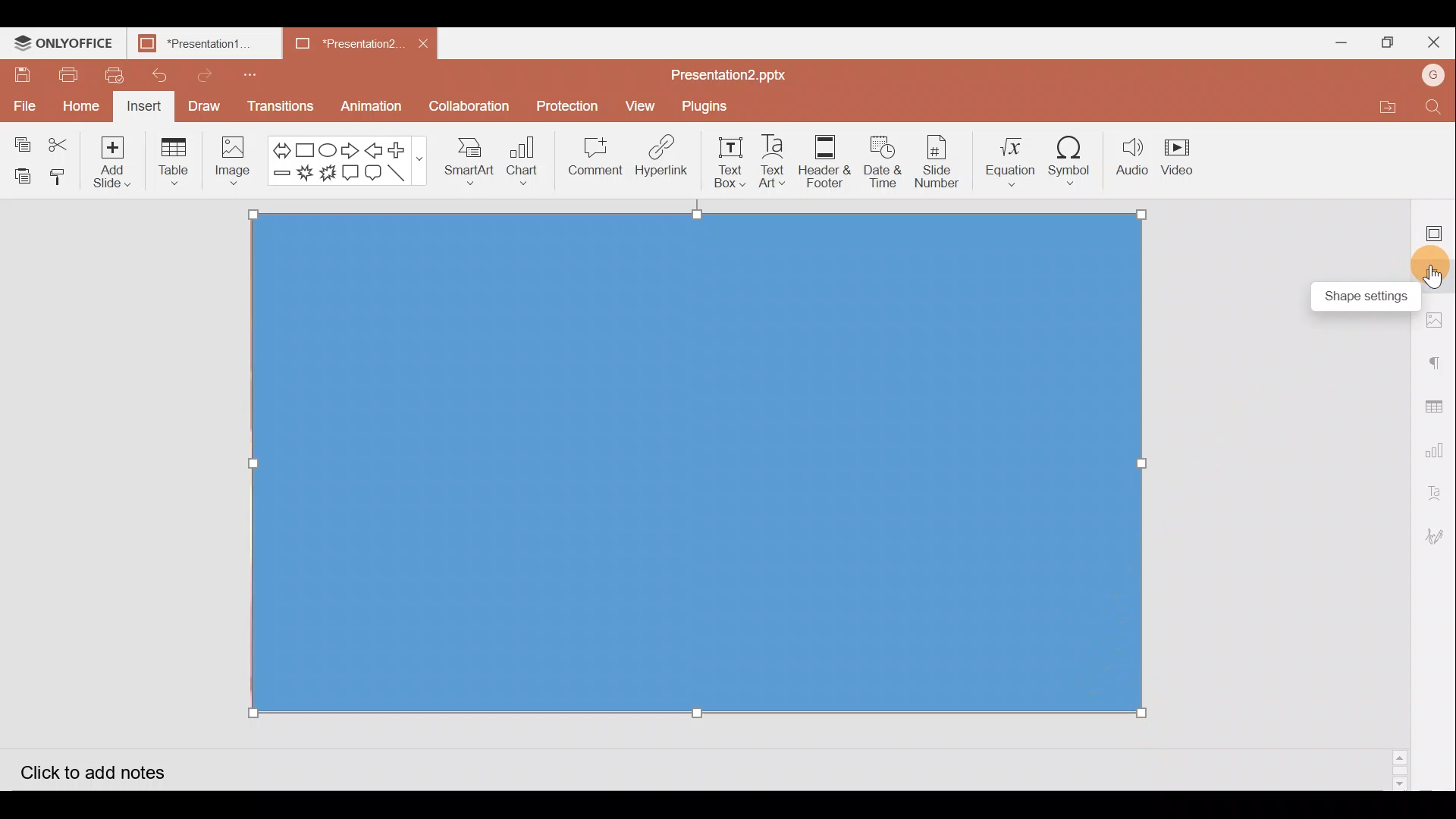 The image size is (1456, 819). Describe the element at coordinates (470, 106) in the screenshot. I see `Collaboration` at that location.